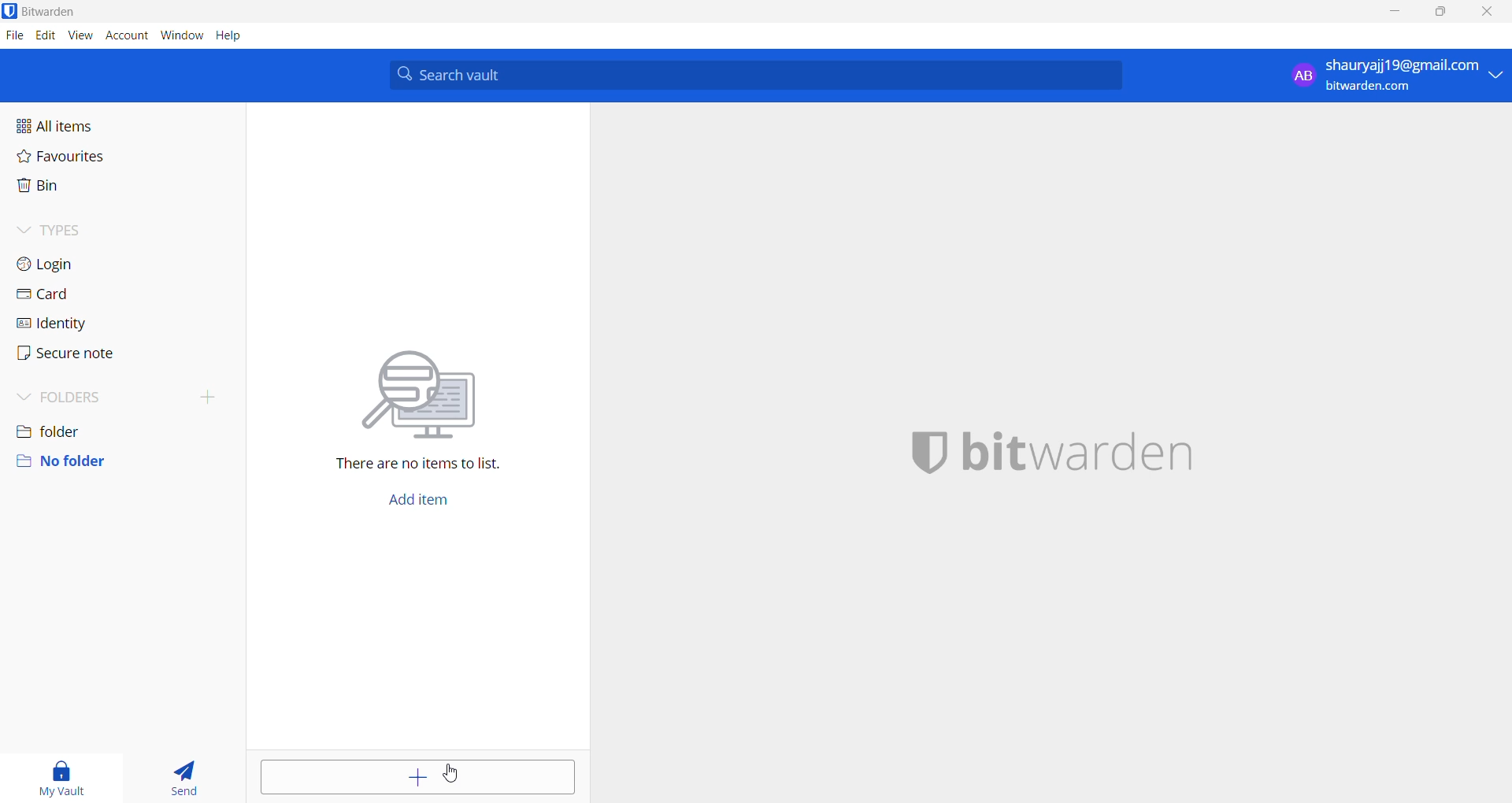  I want to click on send, so click(186, 775).